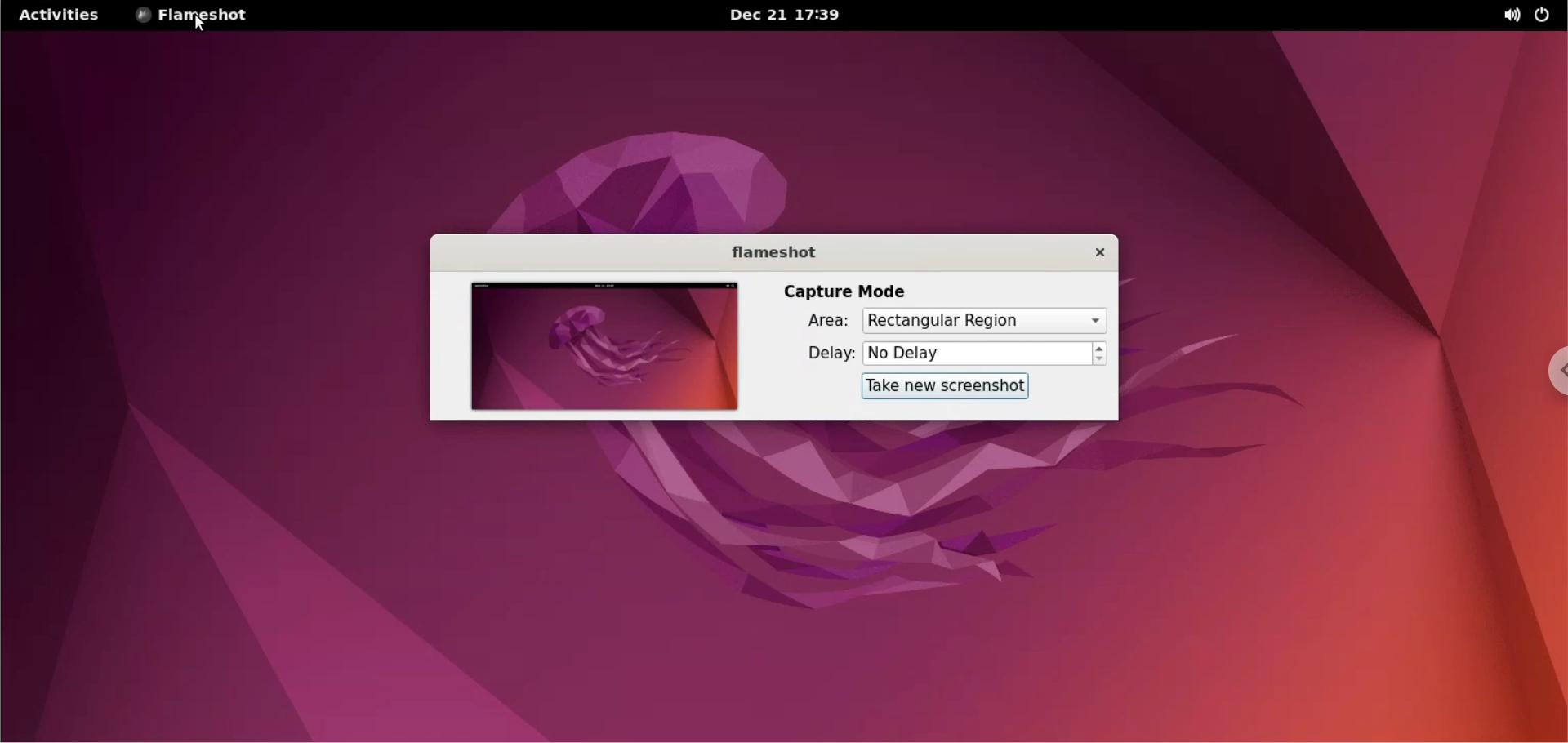 The image size is (1568, 743). Describe the element at coordinates (770, 252) in the screenshot. I see `flameshot ` at that location.